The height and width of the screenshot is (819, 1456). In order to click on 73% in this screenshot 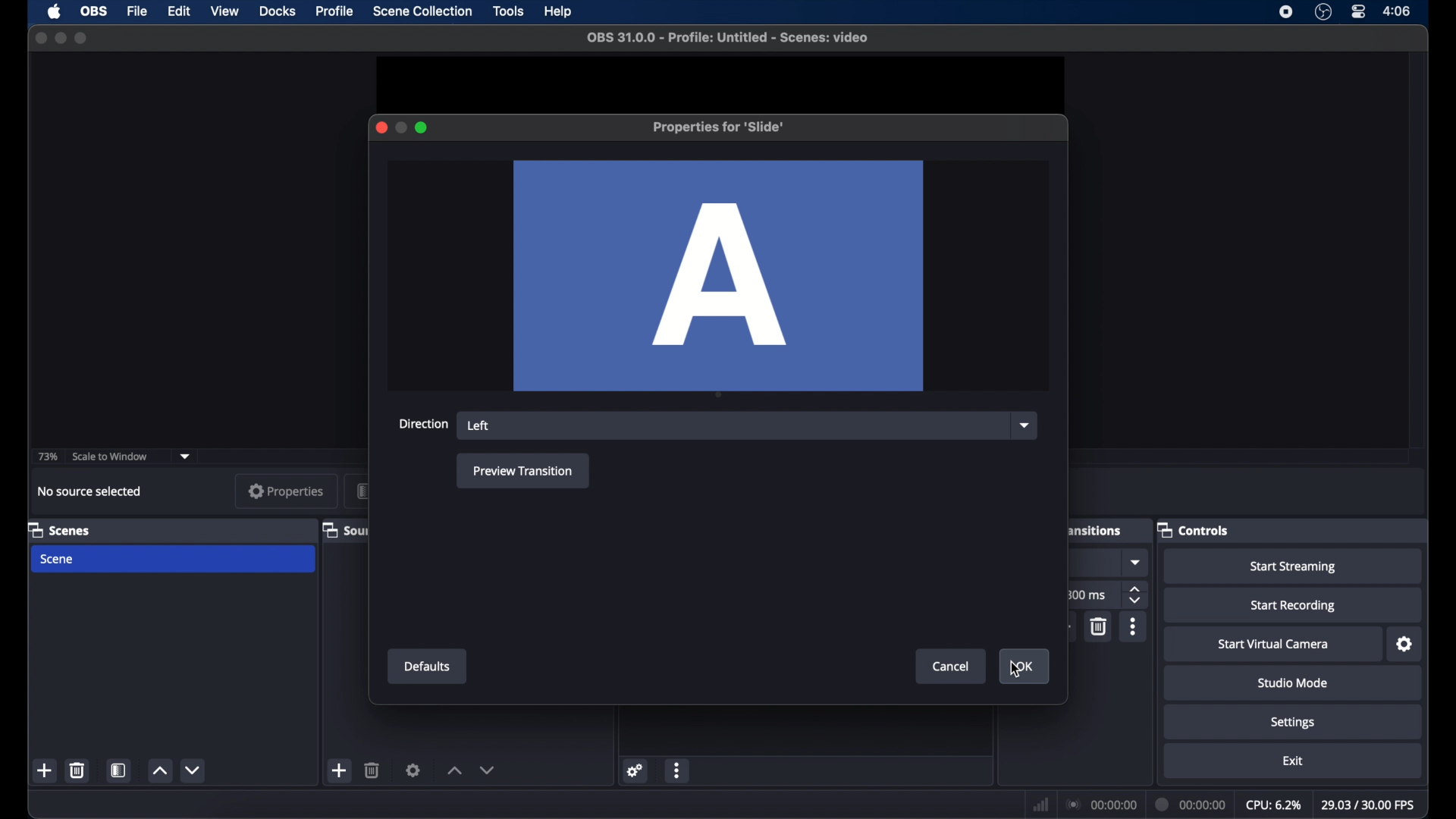, I will do `click(47, 457)`.